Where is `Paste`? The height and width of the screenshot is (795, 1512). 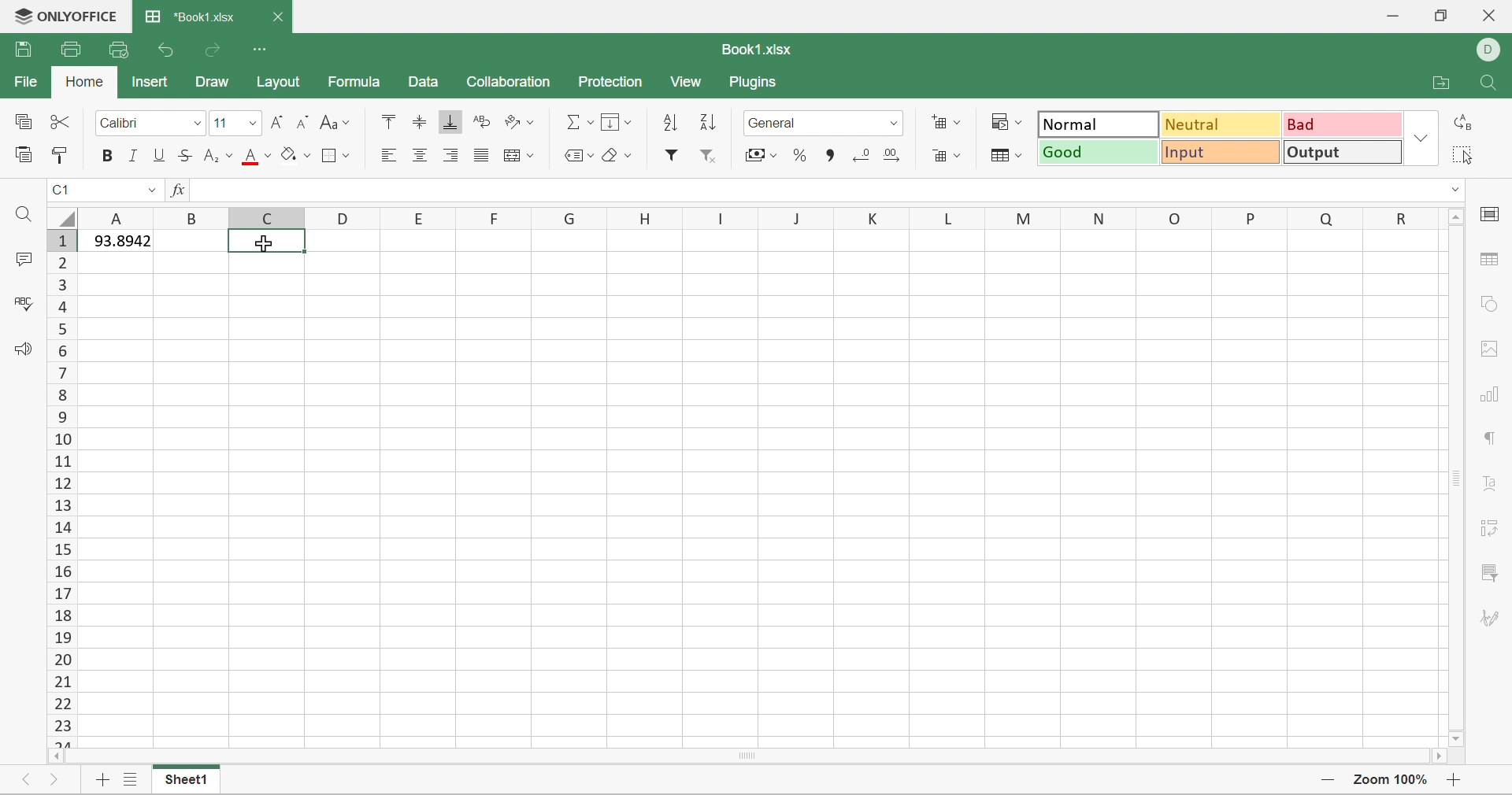 Paste is located at coordinates (22, 152).